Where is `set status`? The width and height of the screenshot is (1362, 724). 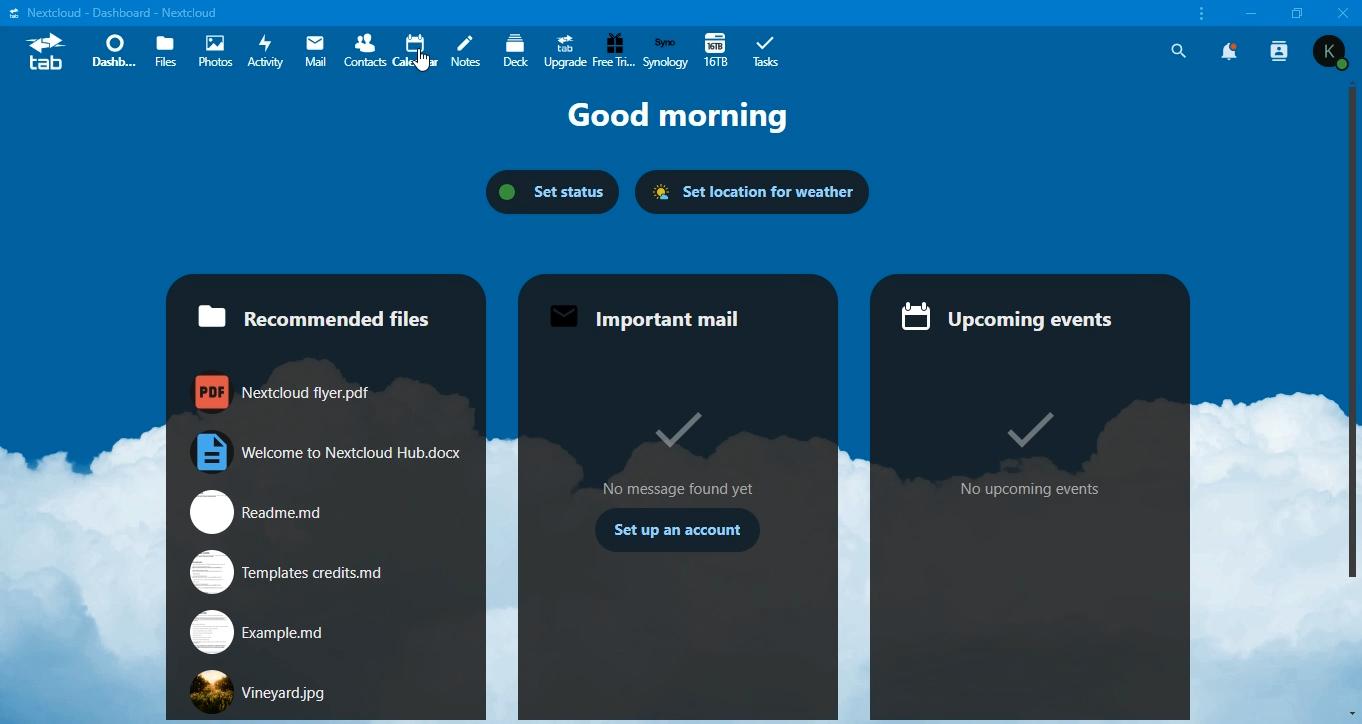 set status is located at coordinates (553, 192).